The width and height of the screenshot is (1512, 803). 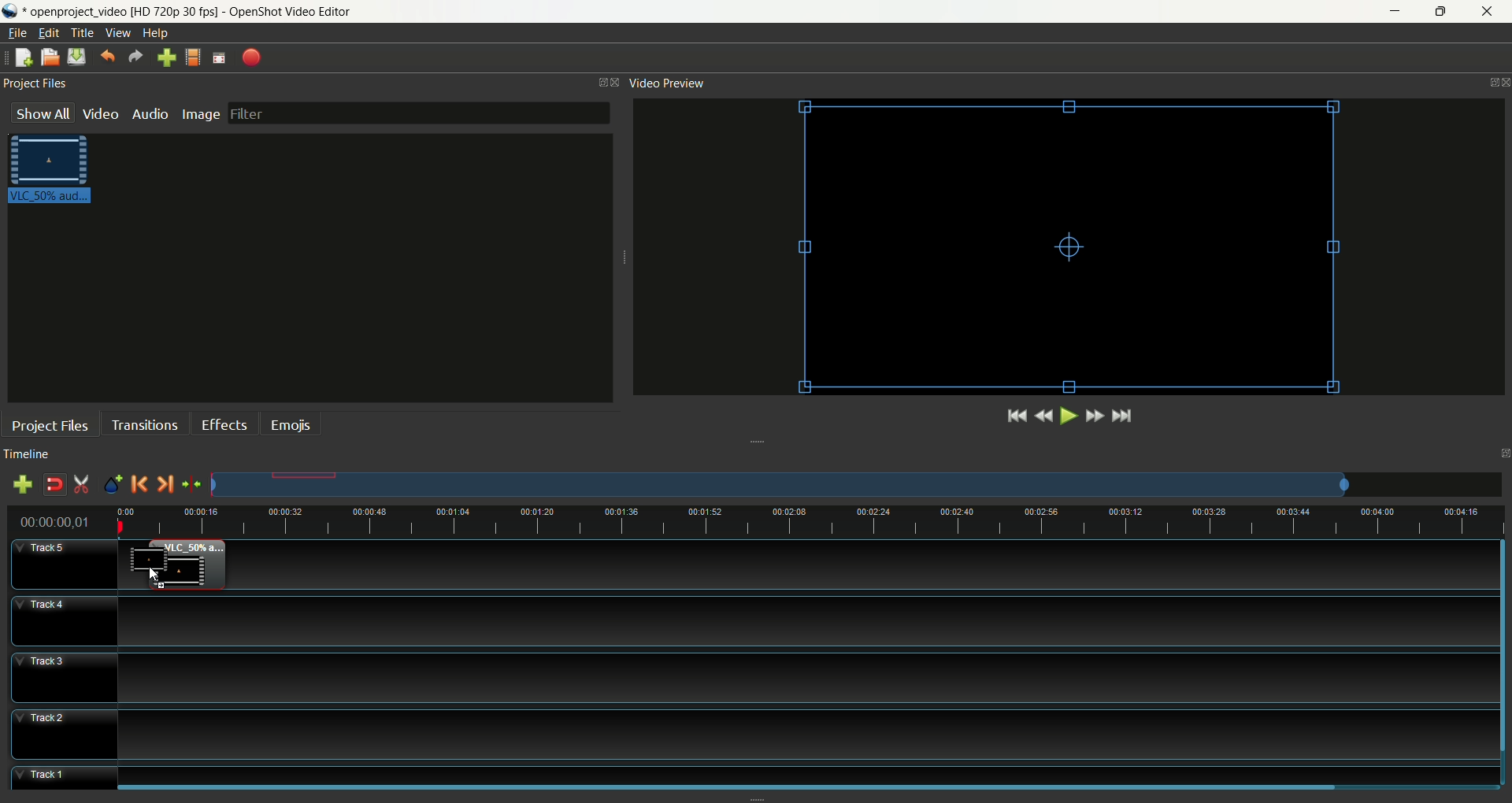 What do you see at coordinates (31, 453) in the screenshot?
I see `timeline` at bounding box center [31, 453].